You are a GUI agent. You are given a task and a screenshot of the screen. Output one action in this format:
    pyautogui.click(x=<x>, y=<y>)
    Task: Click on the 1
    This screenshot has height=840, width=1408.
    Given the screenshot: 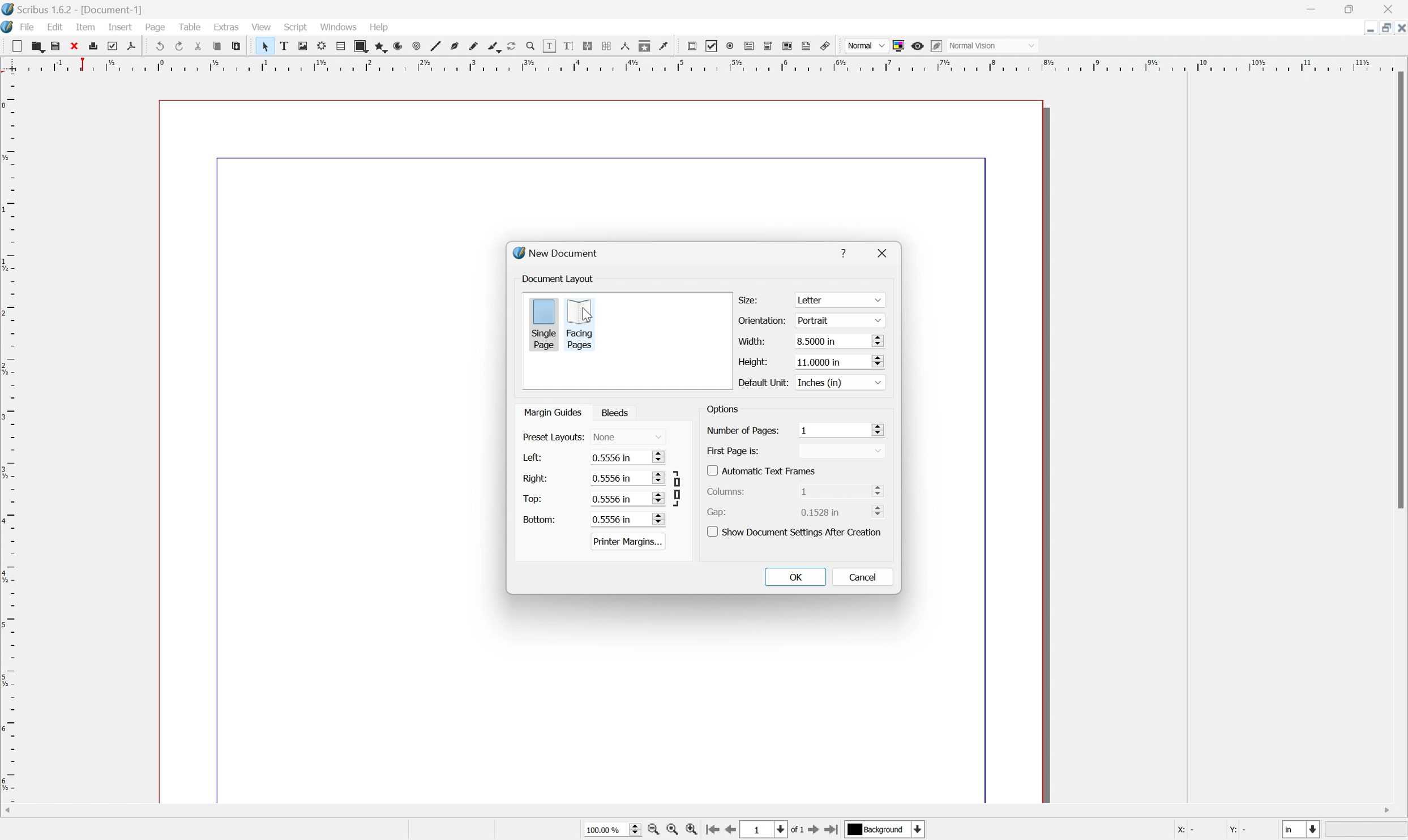 What is the action you would take?
    pyautogui.click(x=840, y=429)
    